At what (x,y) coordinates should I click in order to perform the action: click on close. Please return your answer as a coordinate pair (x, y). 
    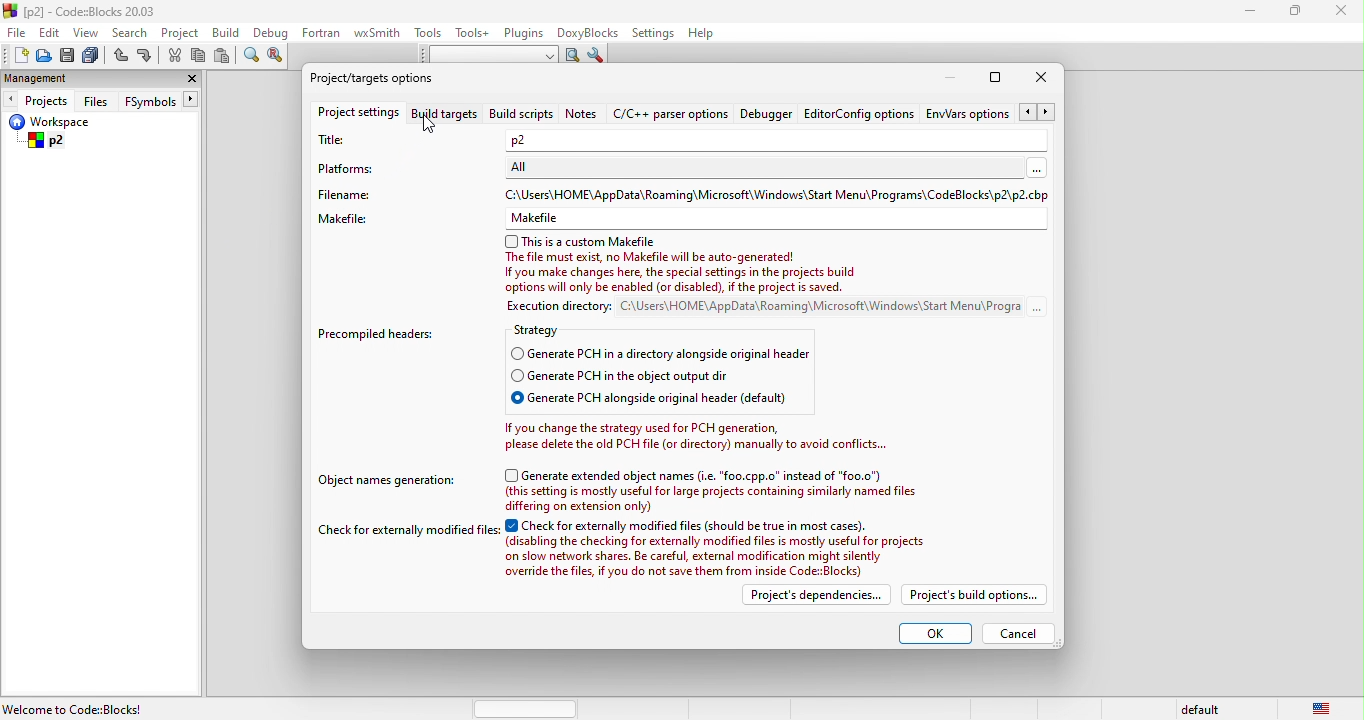
    Looking at the image, I should click on (187, 80).